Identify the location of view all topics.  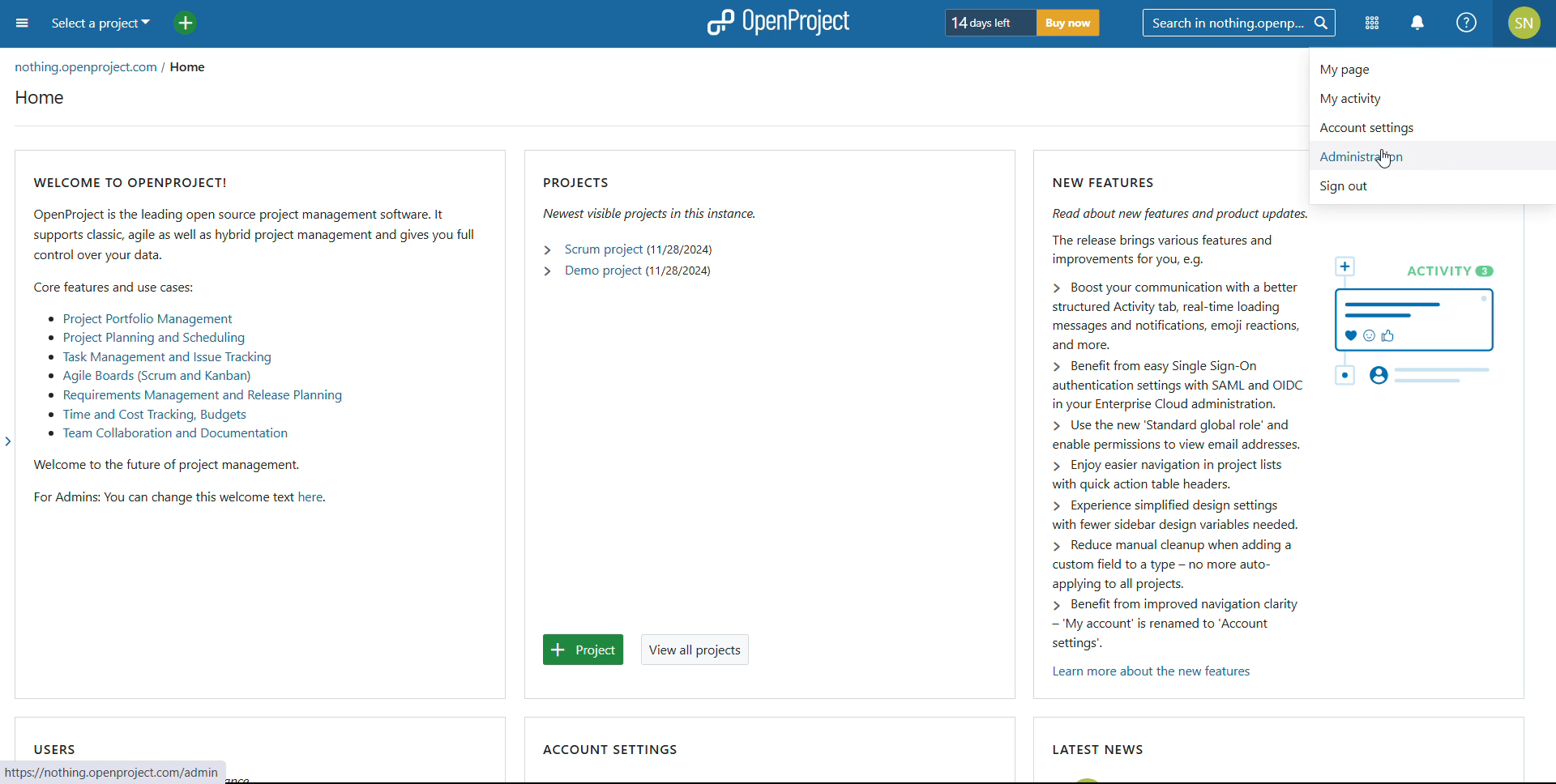
(695, 649).